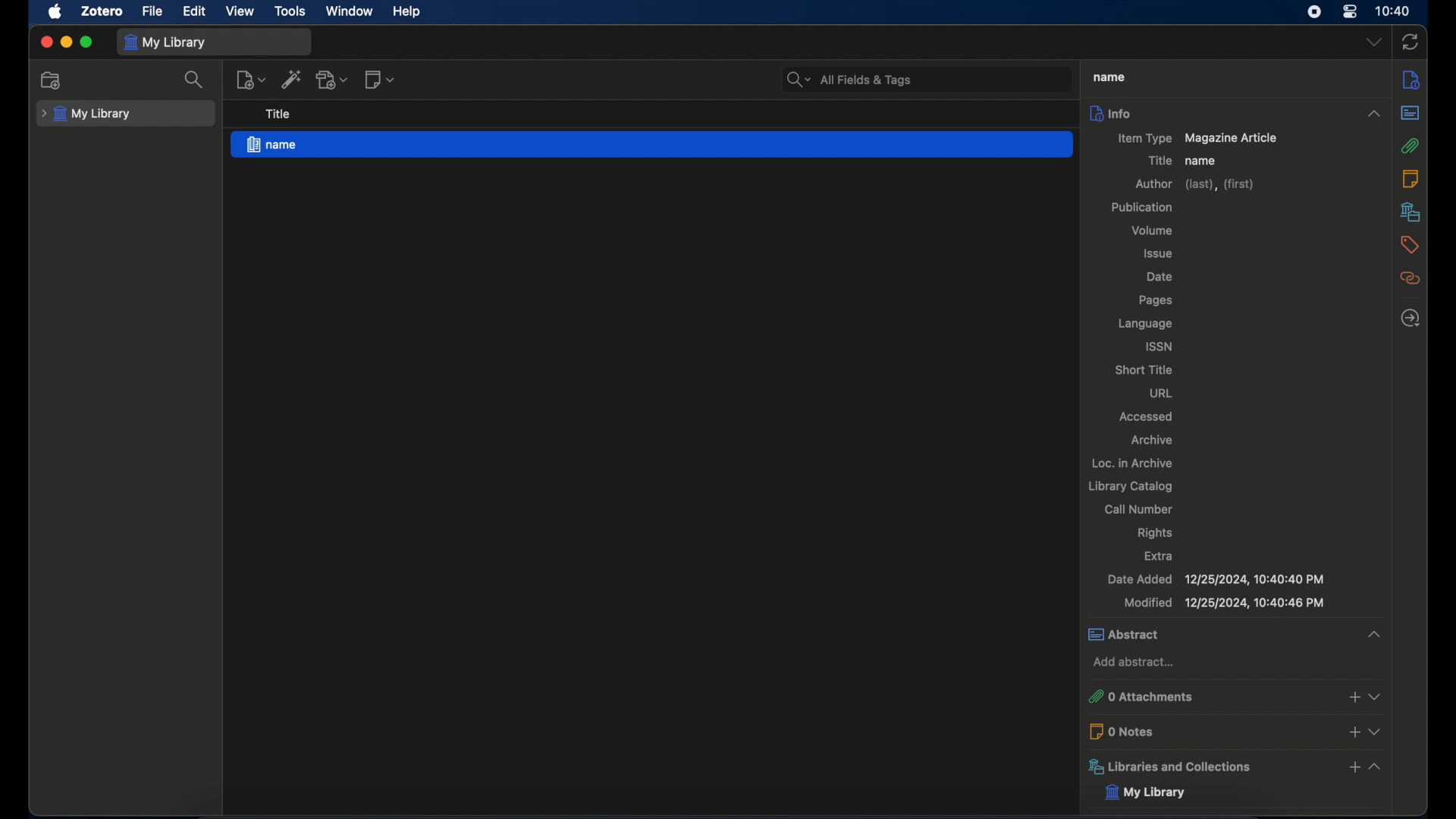 The height and width of the screenshot is (819, 1456). What do you see at coordinates (240, 11) in the screenshot?
I see `view` at bounding box center [240, 11].